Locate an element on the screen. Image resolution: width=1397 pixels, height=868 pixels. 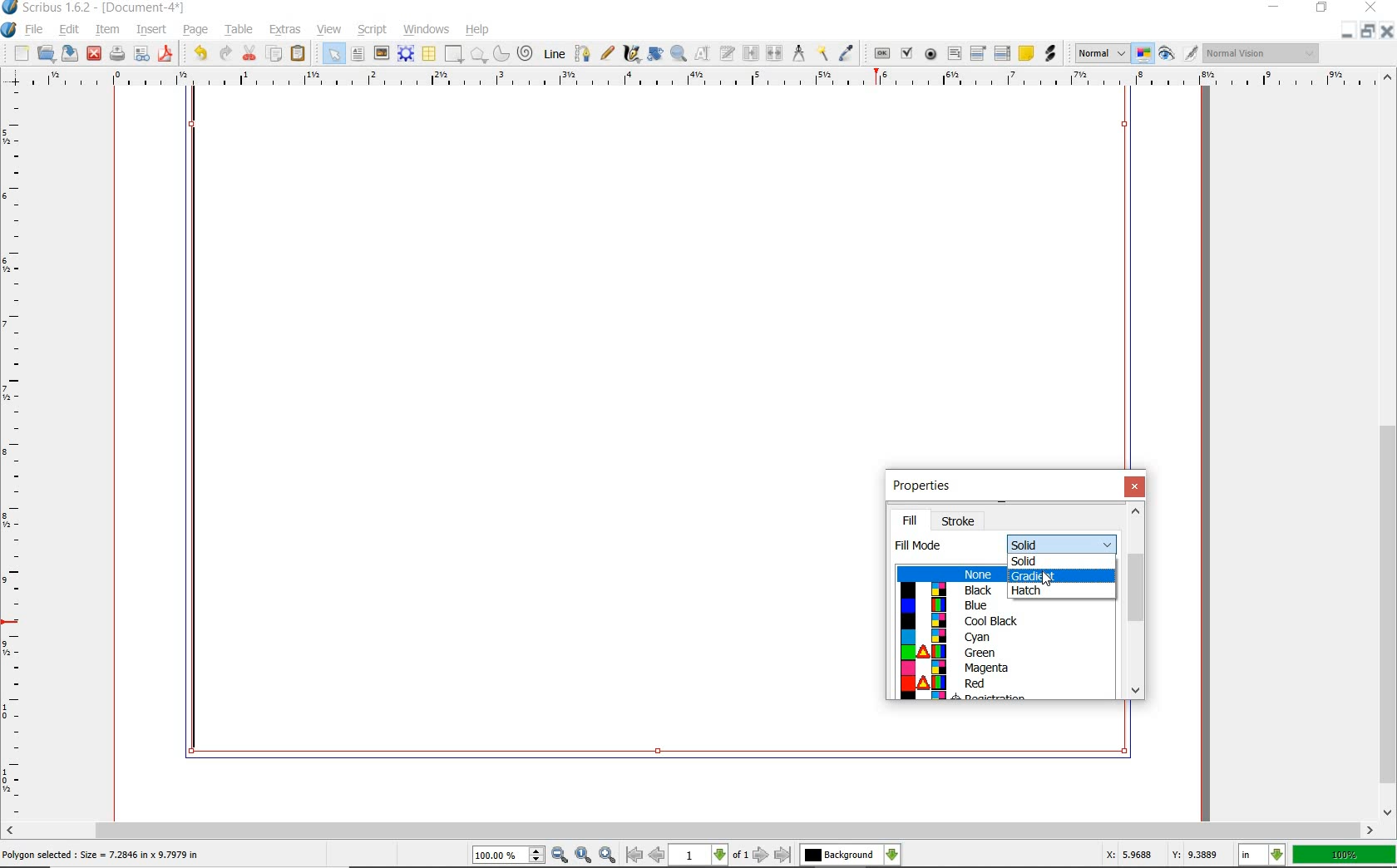
save is located at coordinates (71, 54).